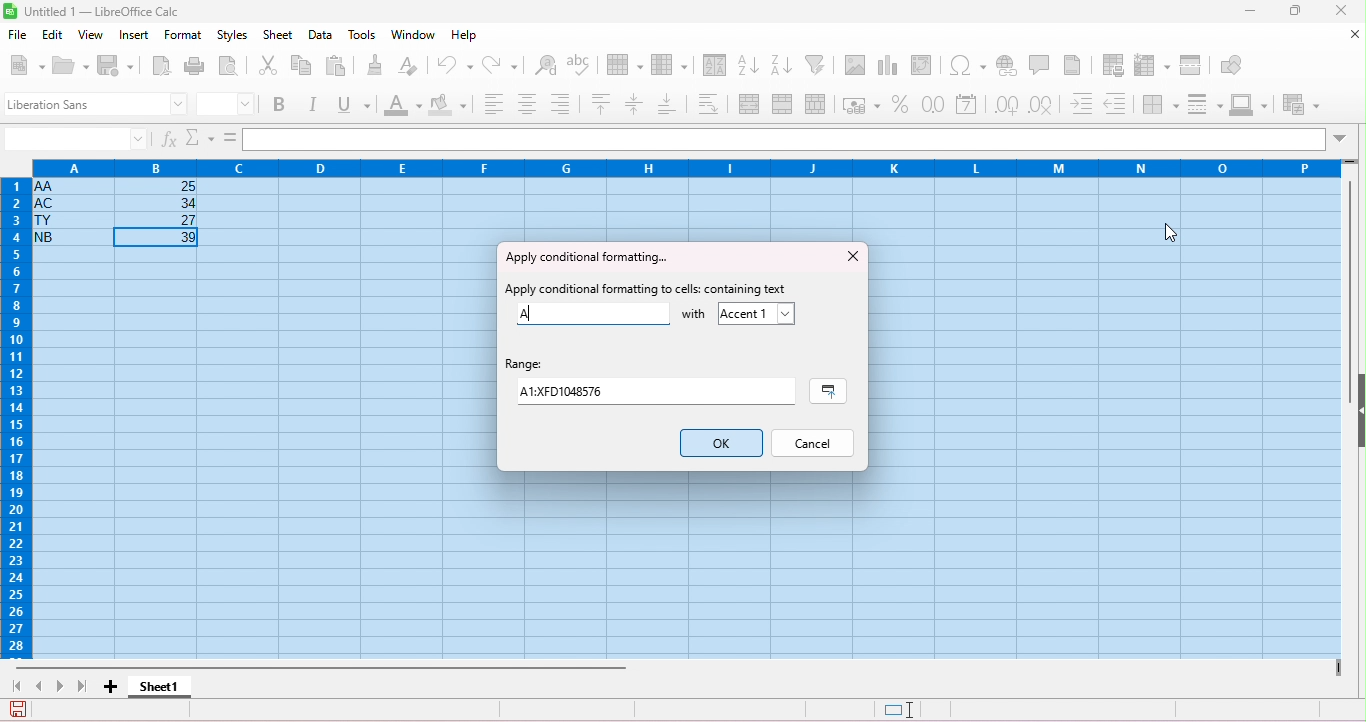 The width and height of the screenshot is (1366, 722). Describe the element at coordinates (849, 253) in the screenshot. I see `close` at that location.